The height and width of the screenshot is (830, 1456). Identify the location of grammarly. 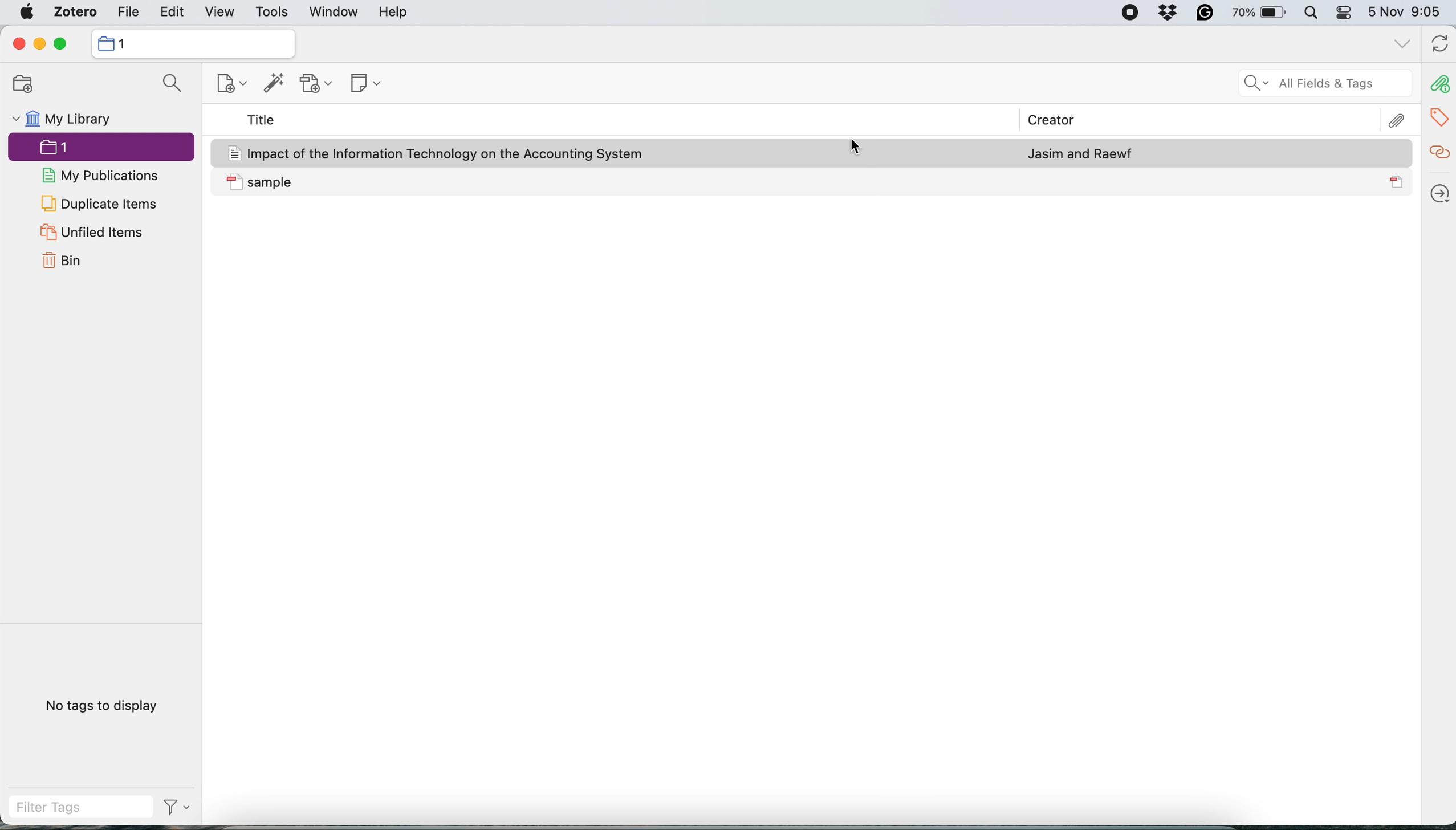
(1202, 15).